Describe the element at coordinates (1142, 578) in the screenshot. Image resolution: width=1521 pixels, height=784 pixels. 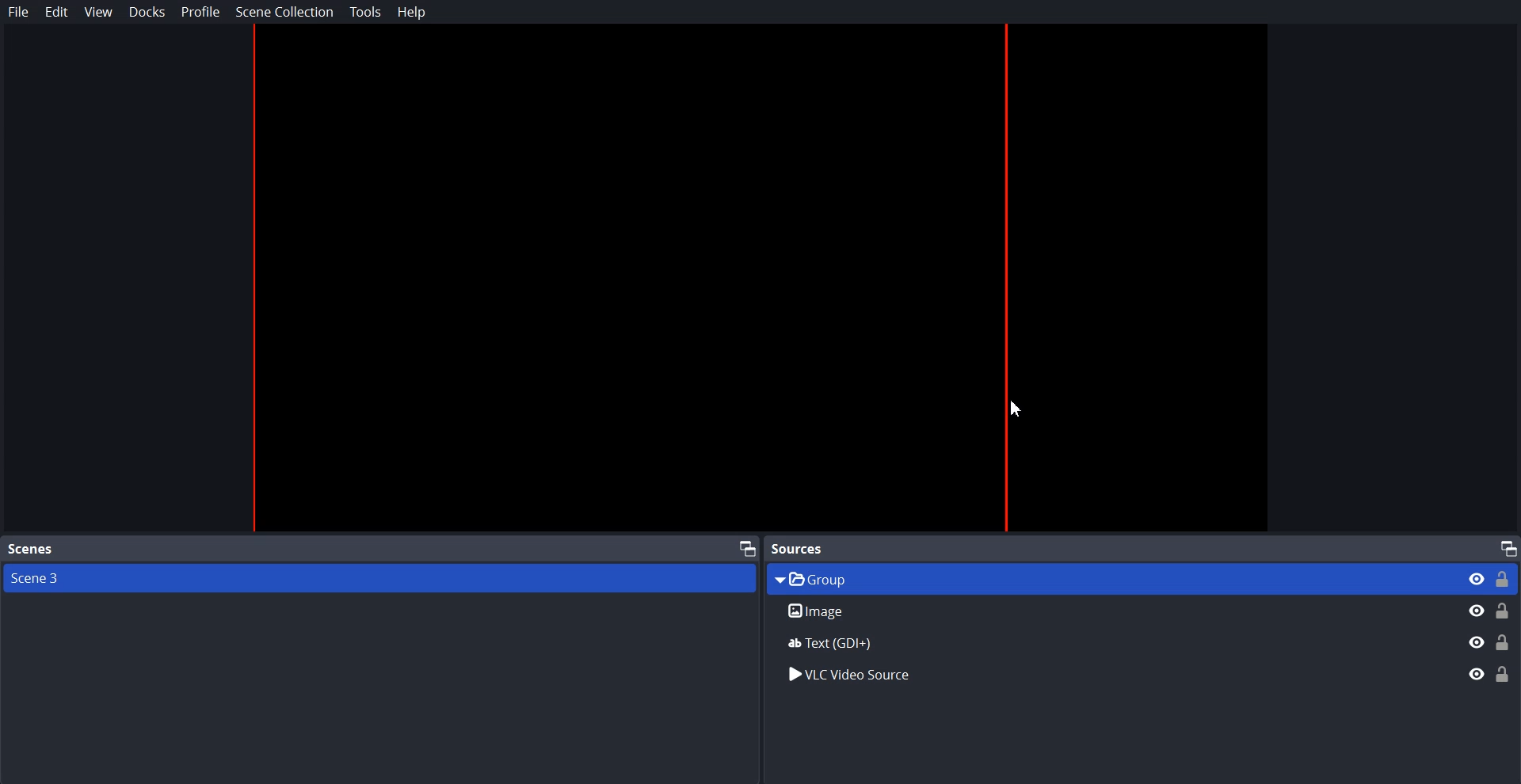
I see `Group` at that location.